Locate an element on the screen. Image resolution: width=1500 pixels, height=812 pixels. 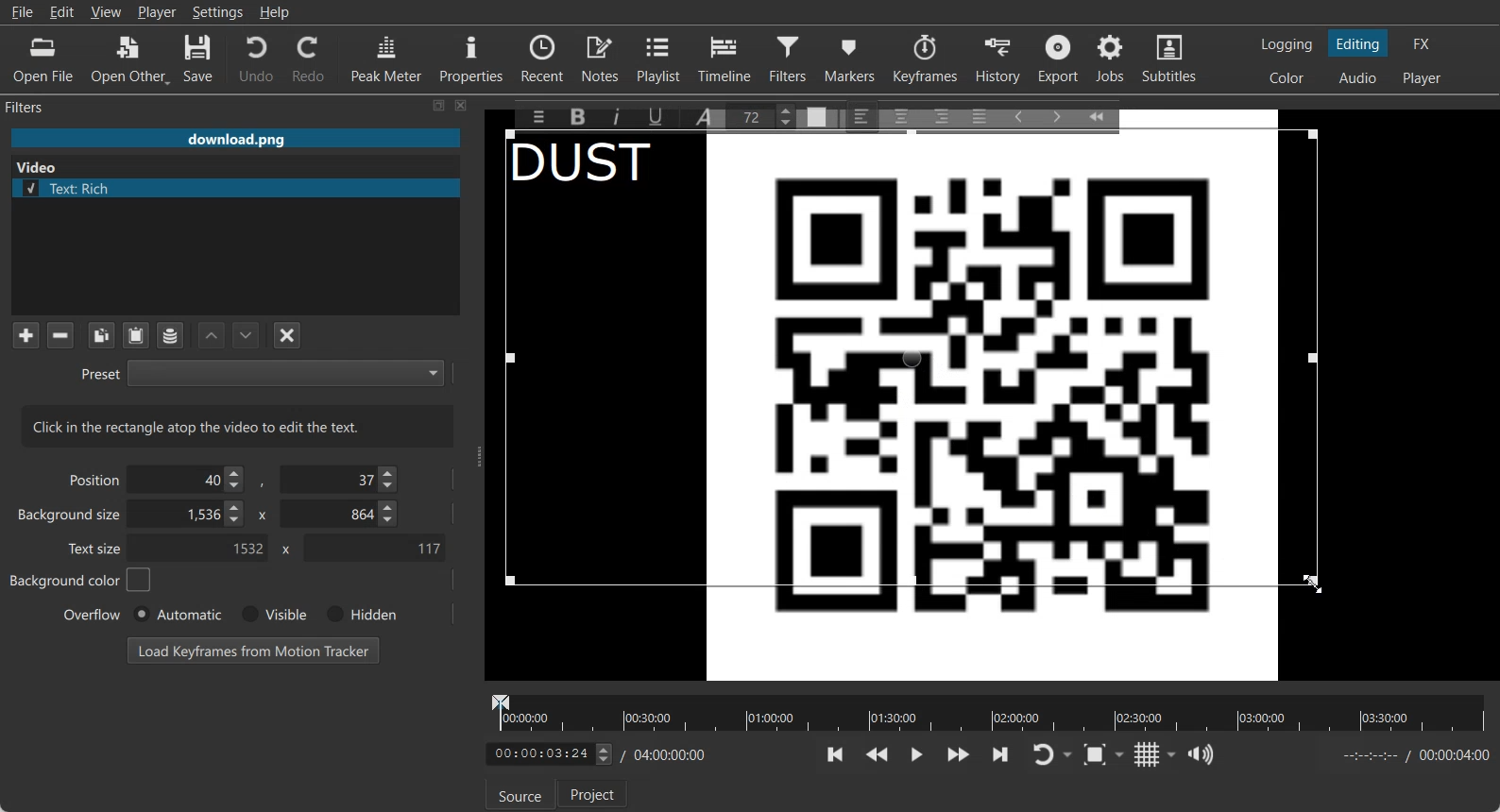
End time  is located at coordinates (1411, 755).